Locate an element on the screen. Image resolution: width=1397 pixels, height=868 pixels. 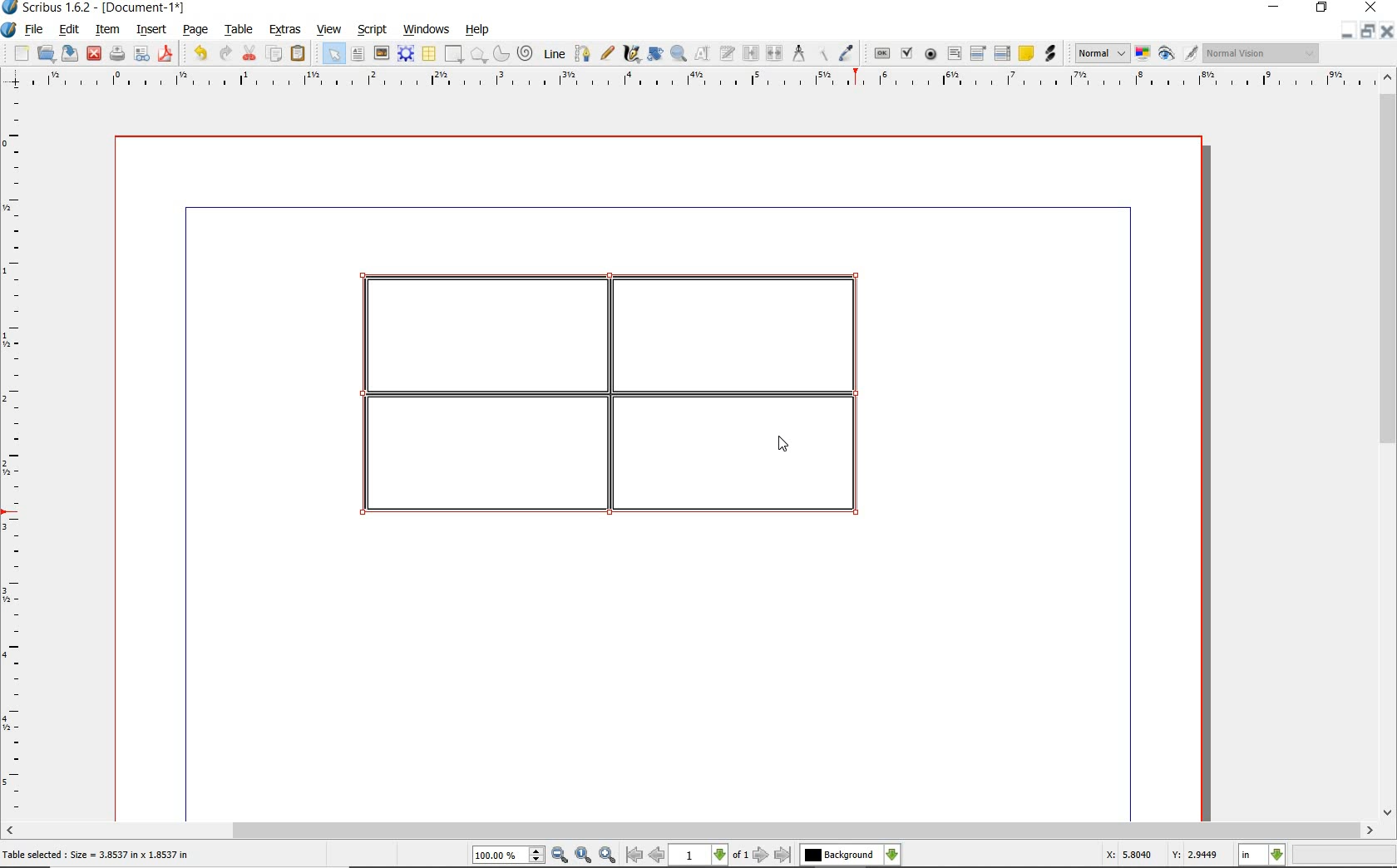
image is located at coordinates (382, 54).